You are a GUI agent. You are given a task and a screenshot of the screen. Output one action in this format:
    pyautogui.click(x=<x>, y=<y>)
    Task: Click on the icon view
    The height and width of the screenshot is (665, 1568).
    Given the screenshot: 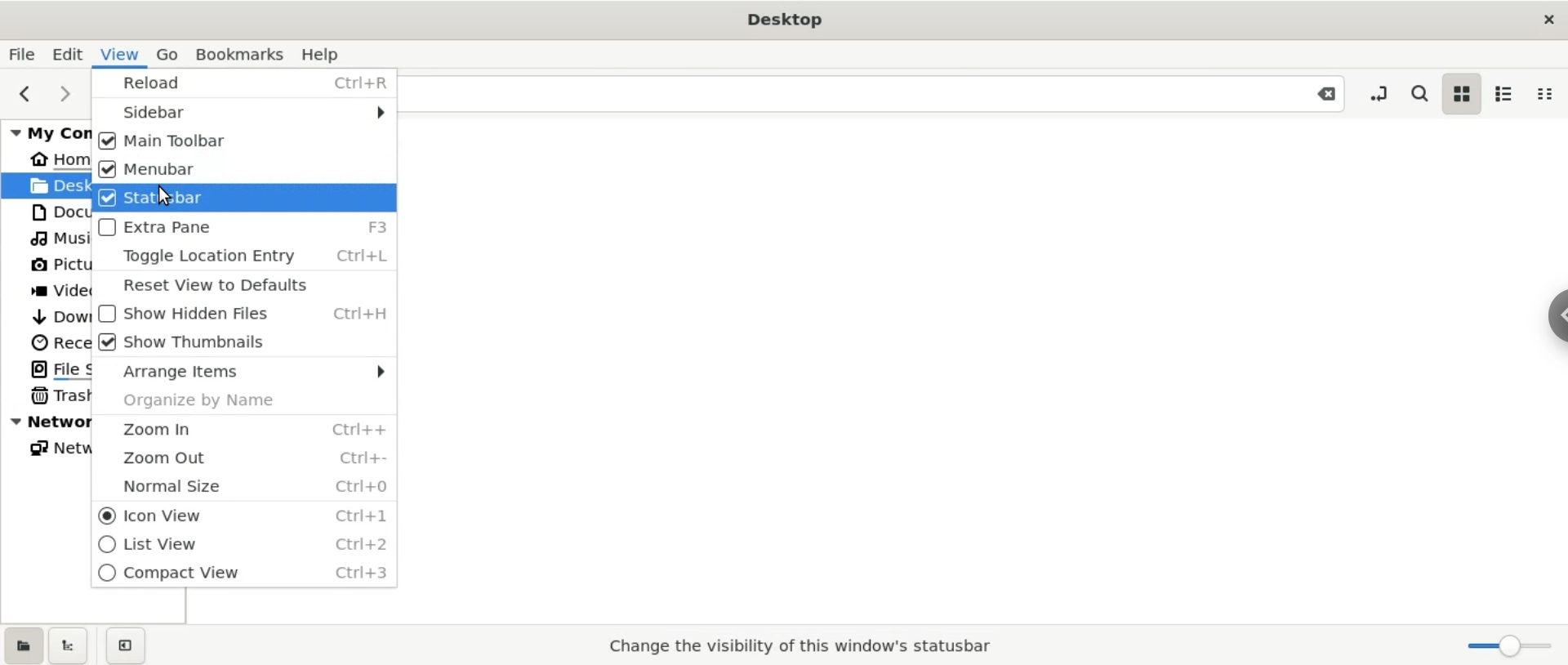 What is the action you would take?
    pyautogui.click(x=1465, y=96)
    